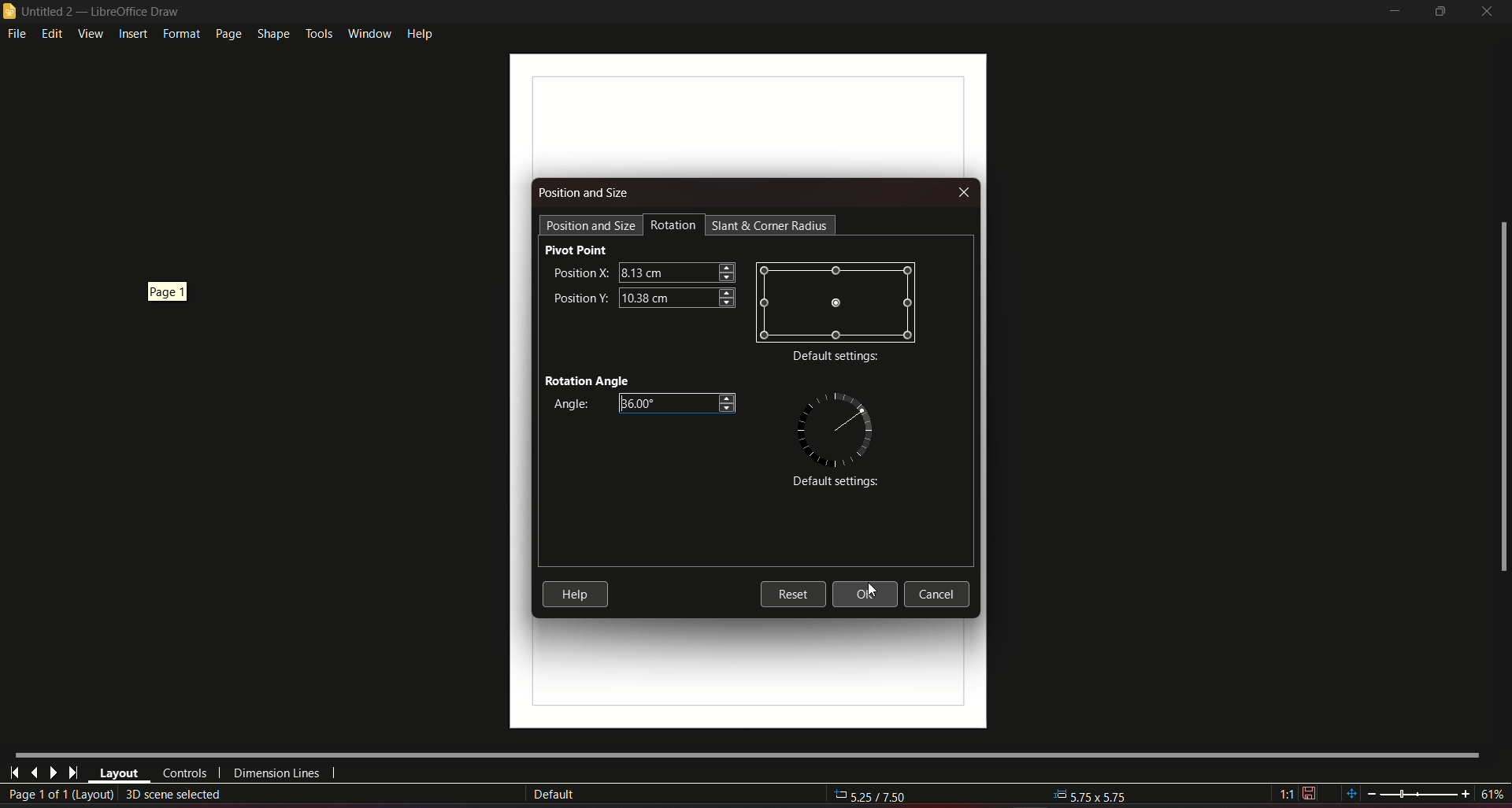  I want to click on Position Y, so click(580, 296).